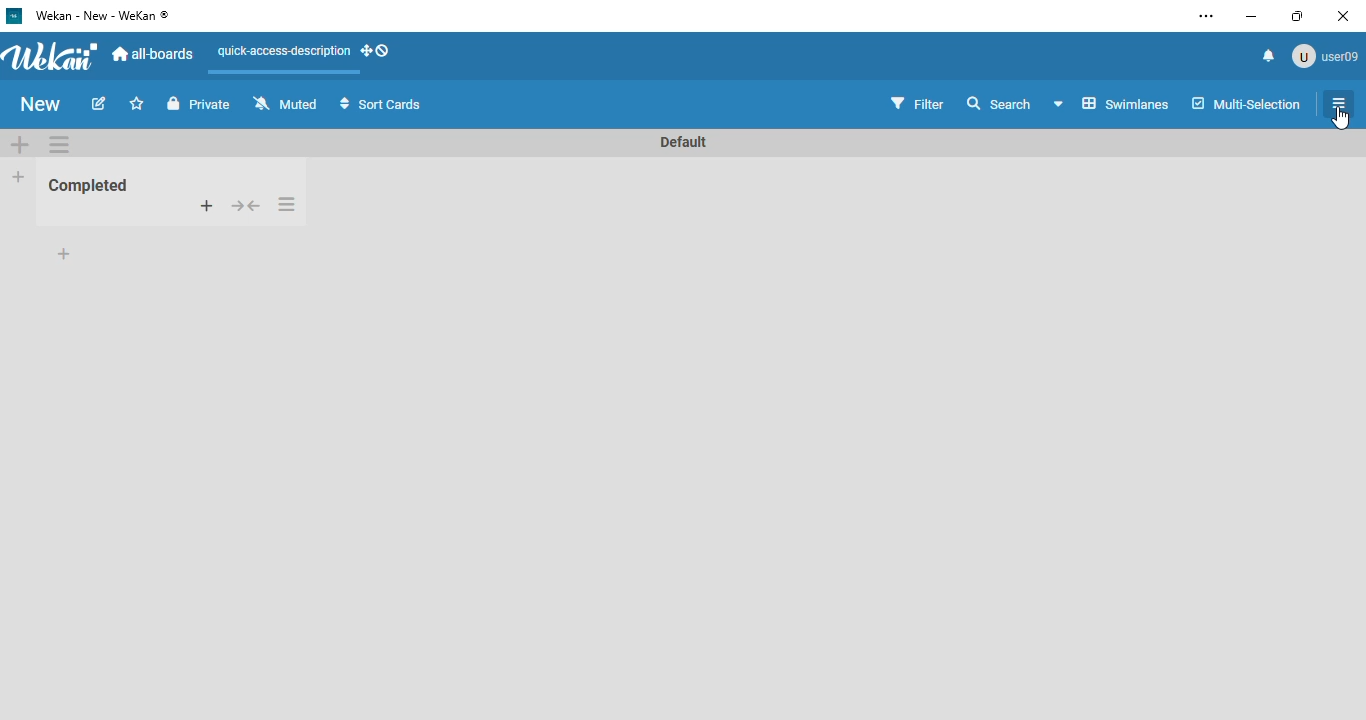 The image size is (1366, 720). I want to click on add card to bottom of list, so click(65, 254).